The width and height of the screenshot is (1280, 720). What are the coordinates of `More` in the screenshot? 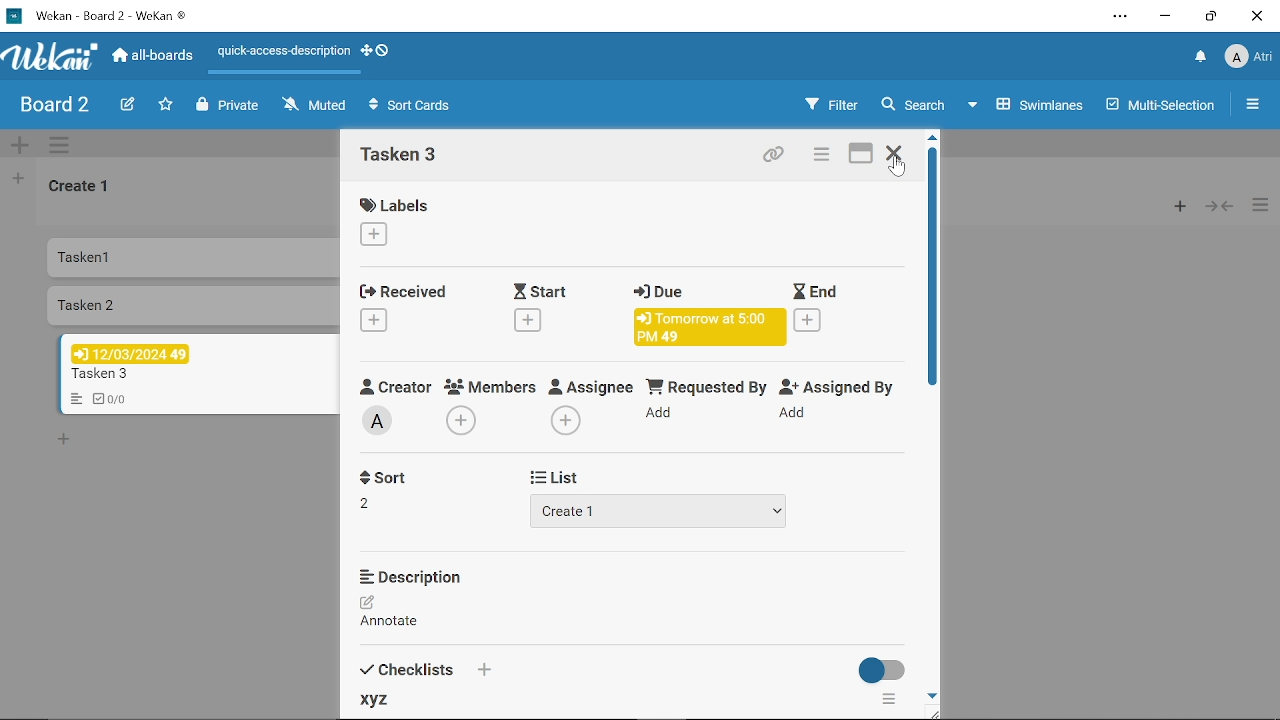 It's located at (61, 144).